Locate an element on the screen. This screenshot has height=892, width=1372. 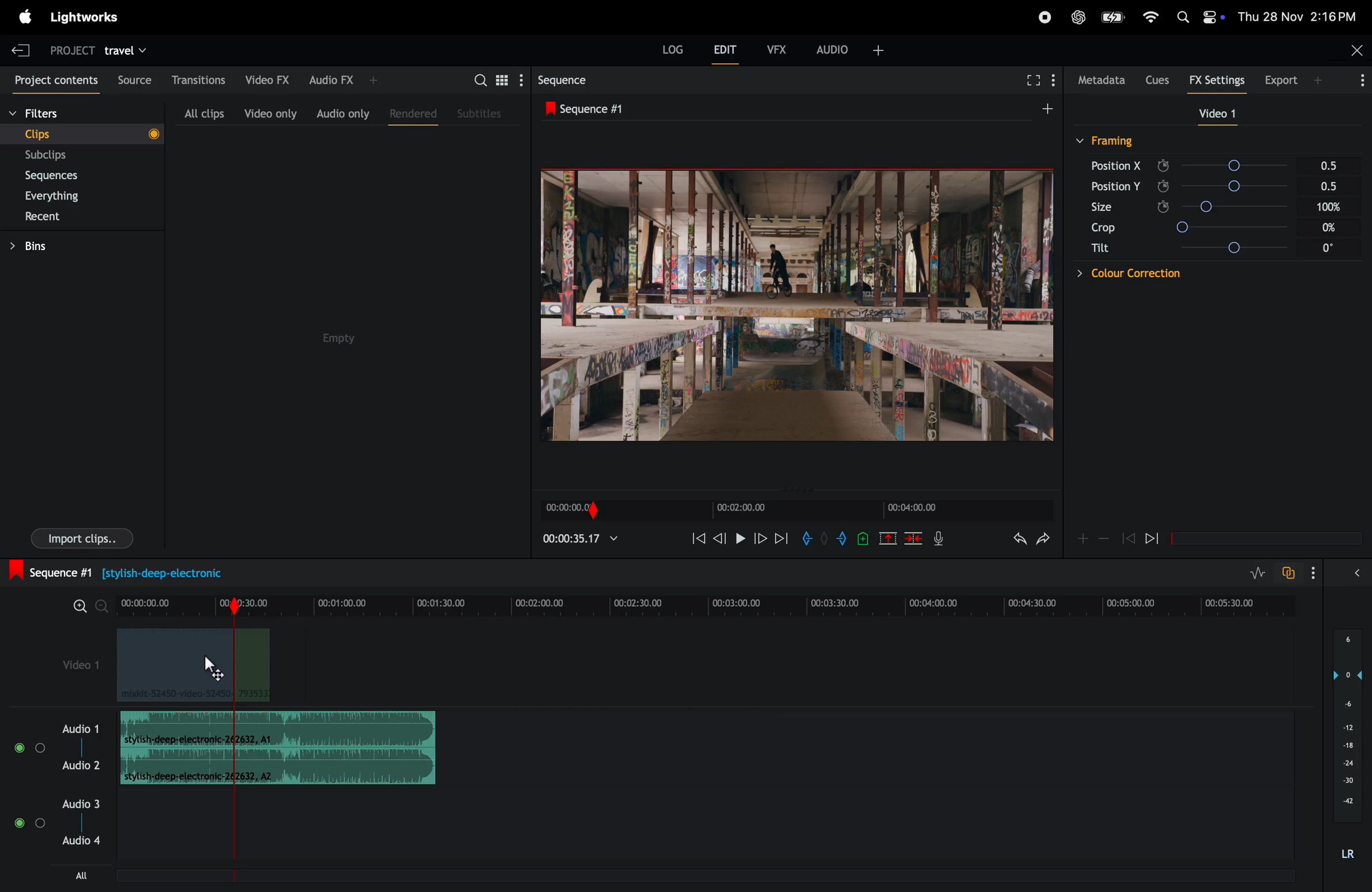
transitons is located at coordinates (198, 76).